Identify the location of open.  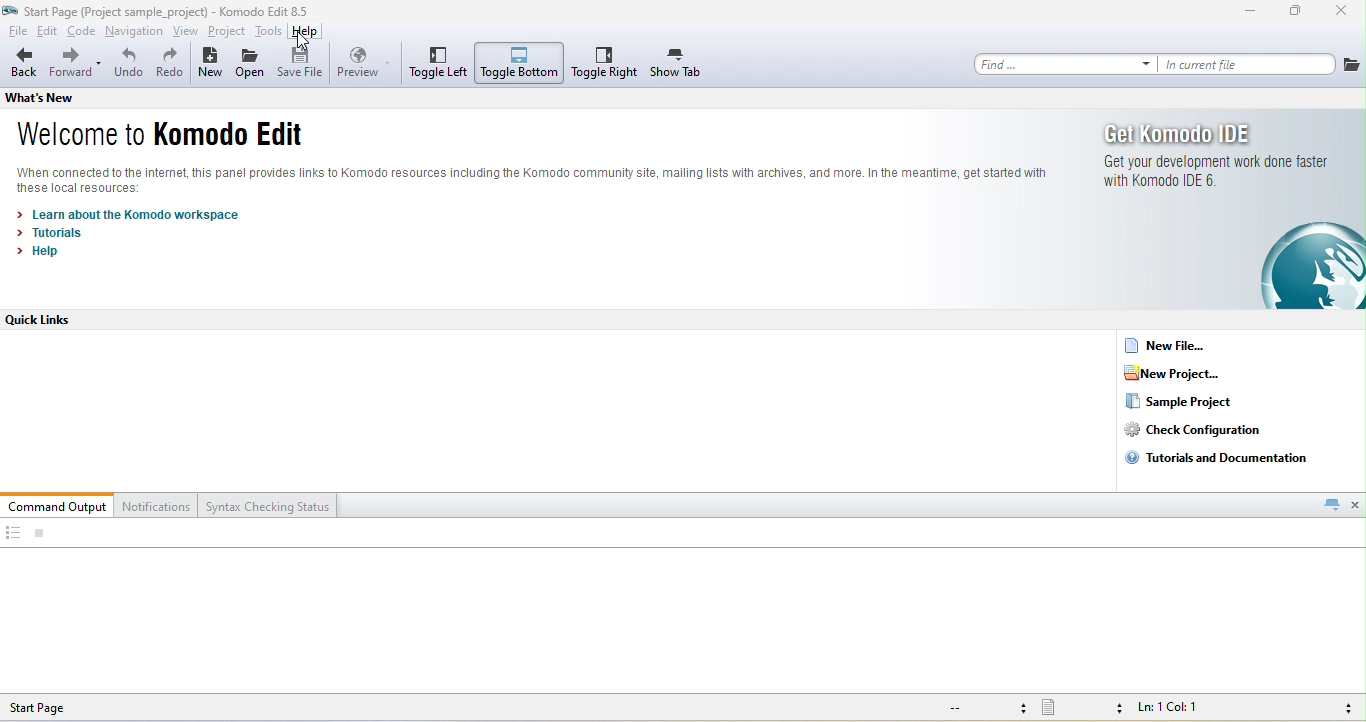
(251, 66).